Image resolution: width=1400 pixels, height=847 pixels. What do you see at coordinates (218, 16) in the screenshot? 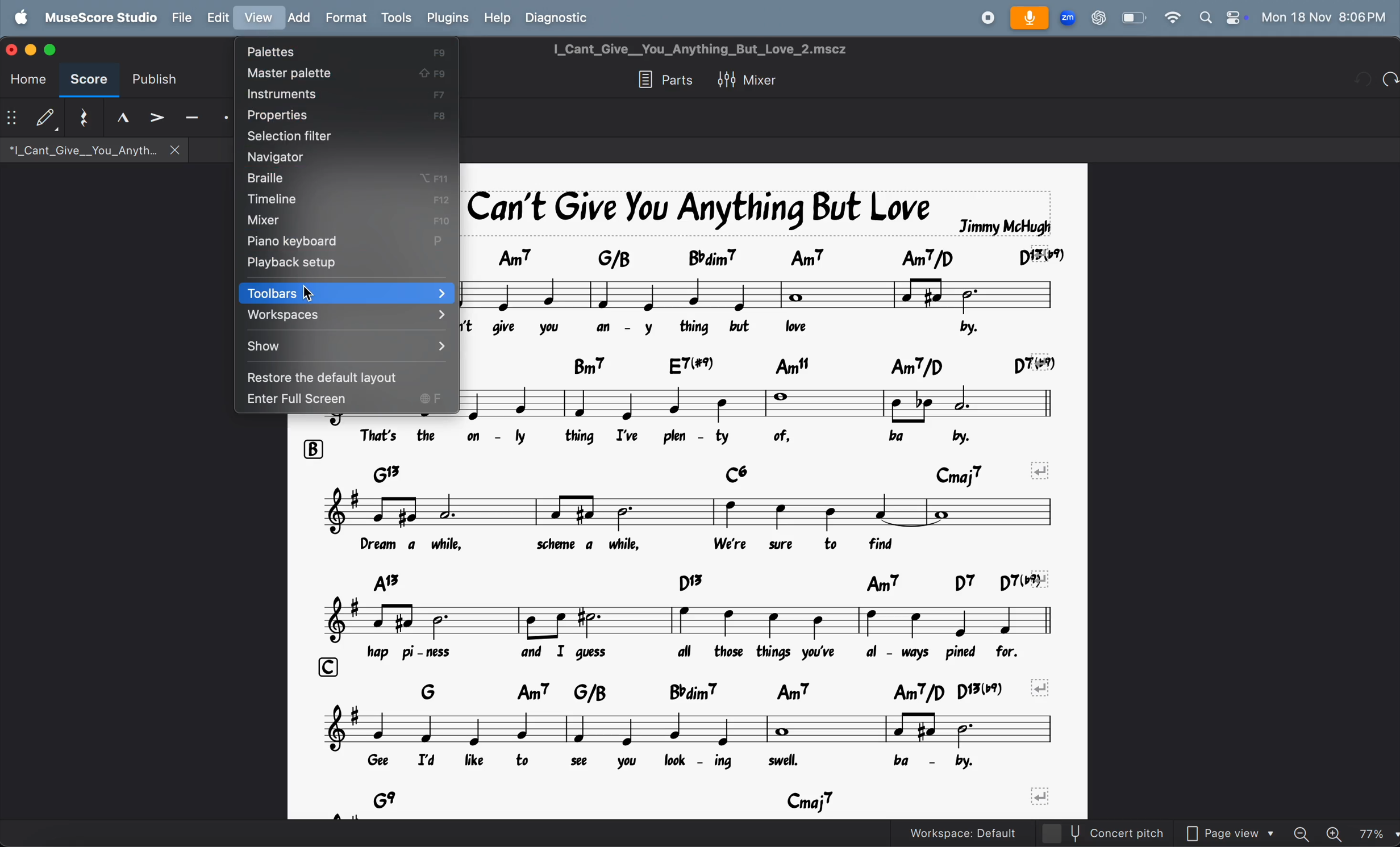
I see `edit` at bounding box center [218, 16].